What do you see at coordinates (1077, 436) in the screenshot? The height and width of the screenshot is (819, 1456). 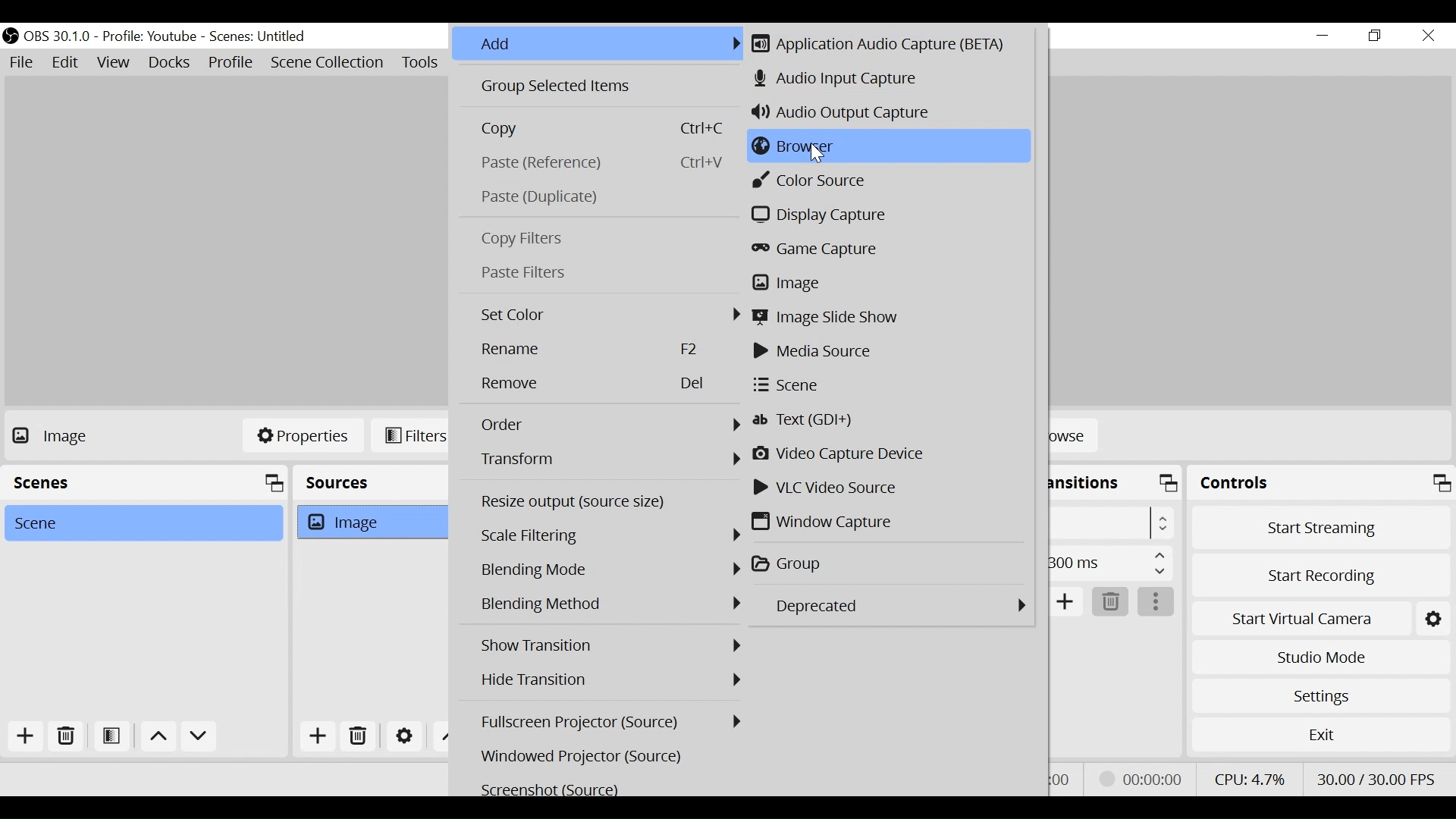 I see `Browse` at bounding box center [1077, 436].